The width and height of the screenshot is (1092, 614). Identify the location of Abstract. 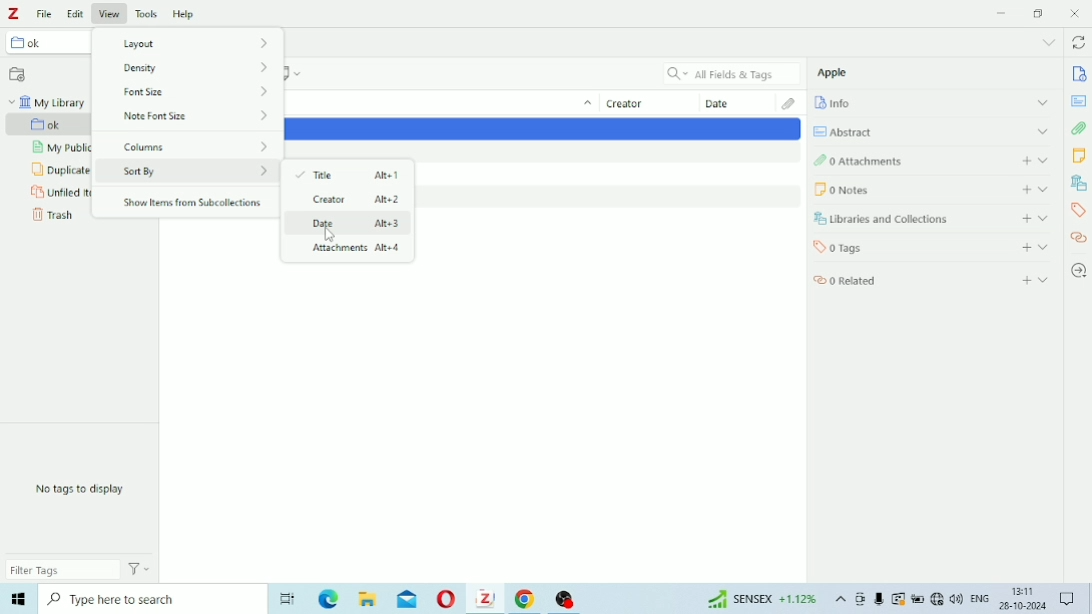
(852, 129).